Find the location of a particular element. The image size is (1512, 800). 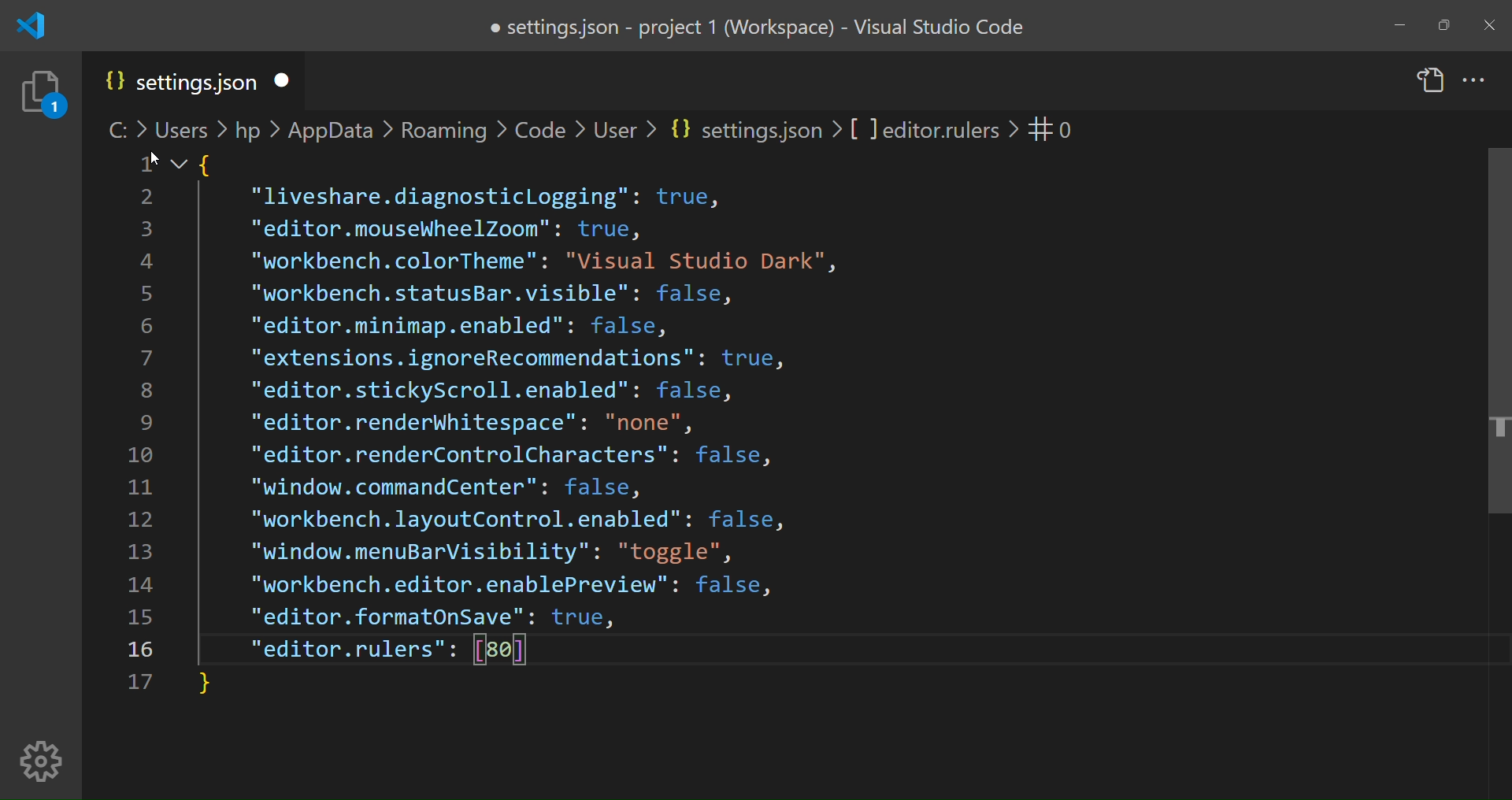

cursor is located at coordinates (151, 157).